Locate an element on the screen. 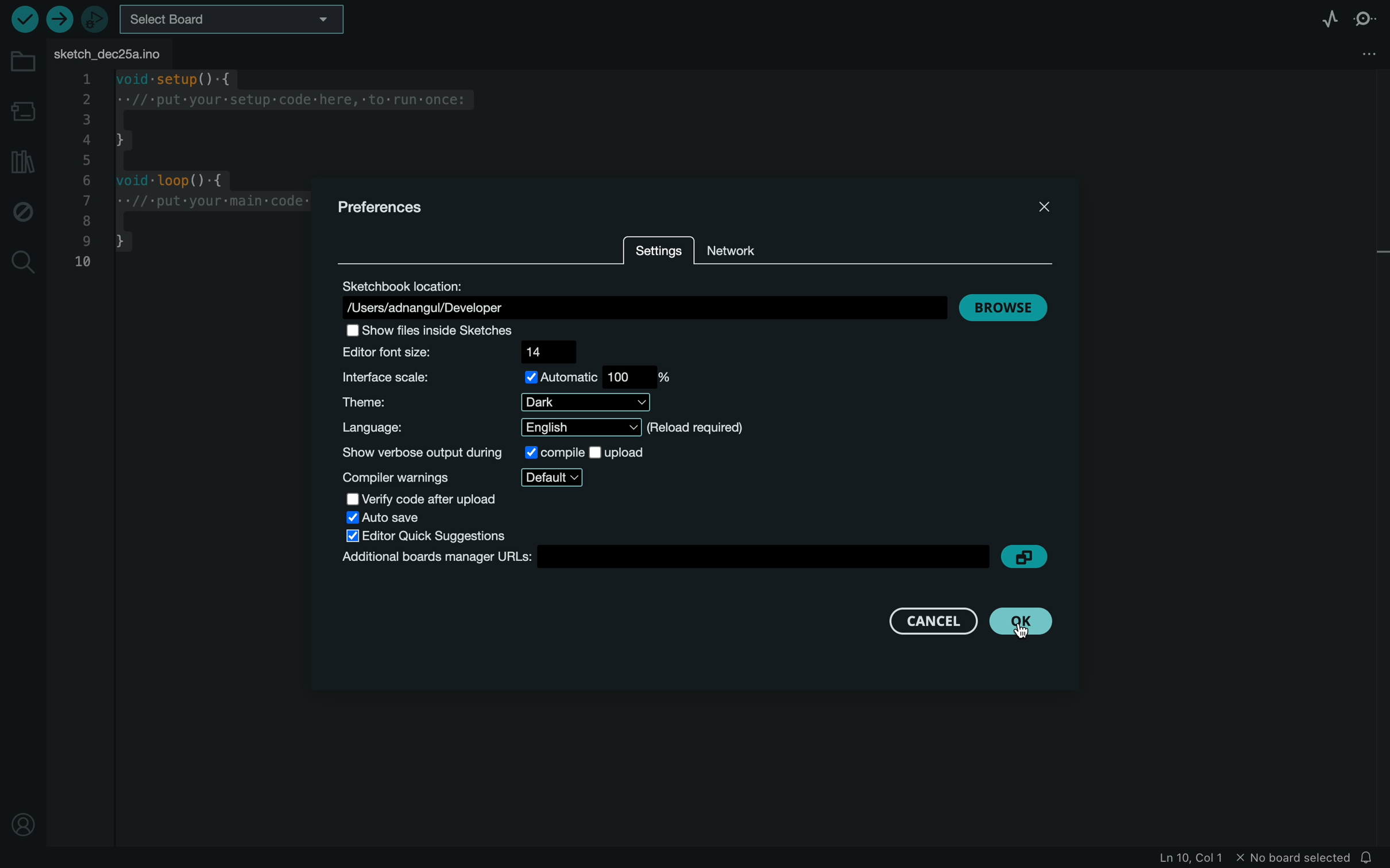 The image size is (1390, 868). search is located at coordinates (22, 260).